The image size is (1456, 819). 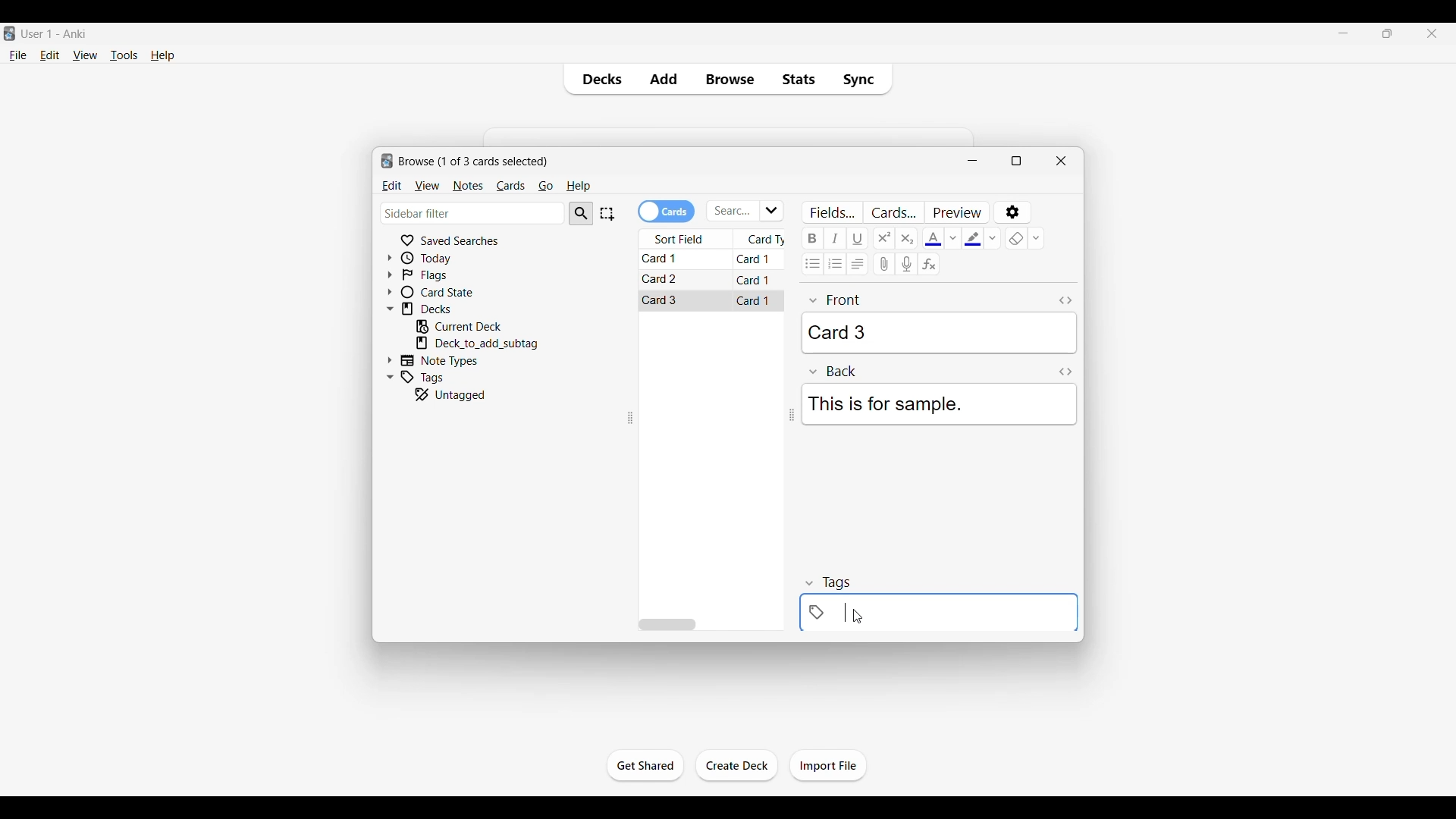 I want to click on Click to go to current deck, so click(x=469, y=326).